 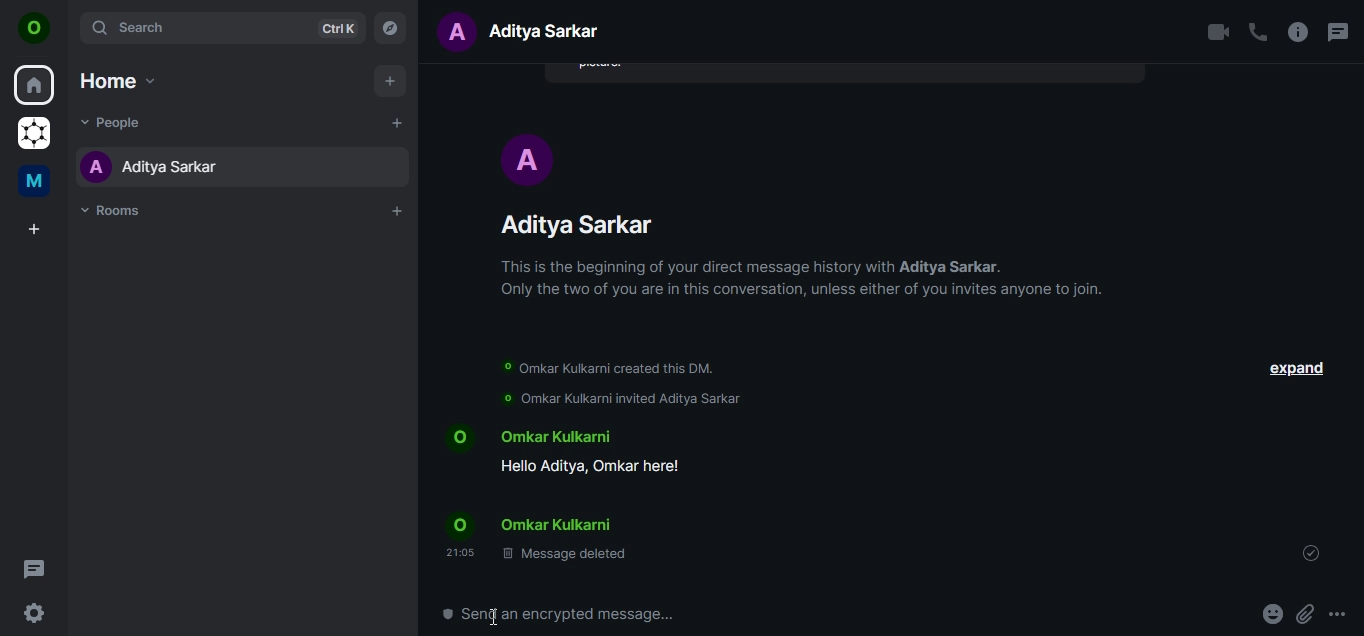 I want to click on , so click(x=1340, y=613).